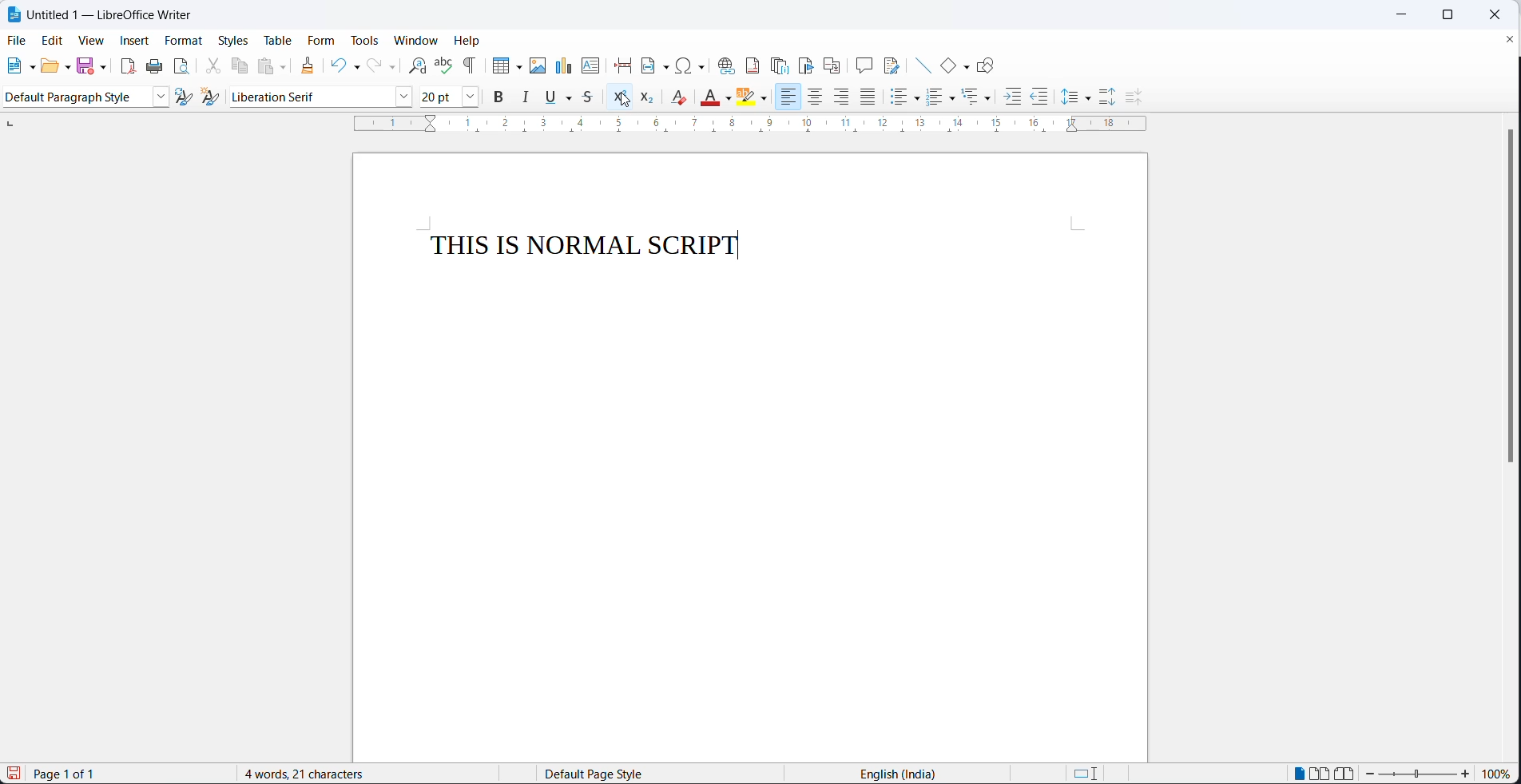 The image size is (1521, 784). I want to click on toggle ordered list options, so click(953, 98).